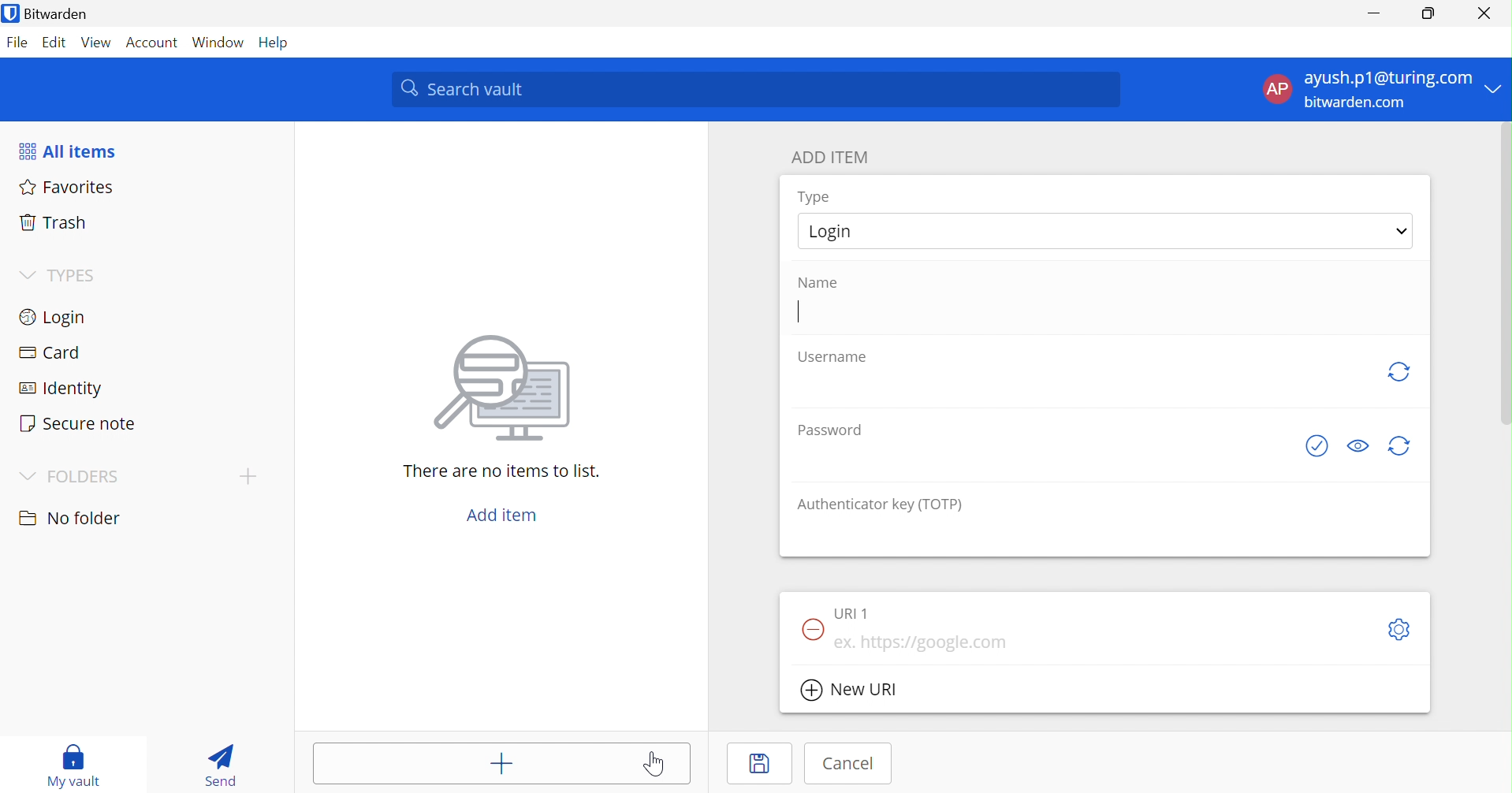 This screenshot has width=1512, height=793. Describe the element at coordinates (248, 477) in the screenshot. I see `Add folder` at that location.